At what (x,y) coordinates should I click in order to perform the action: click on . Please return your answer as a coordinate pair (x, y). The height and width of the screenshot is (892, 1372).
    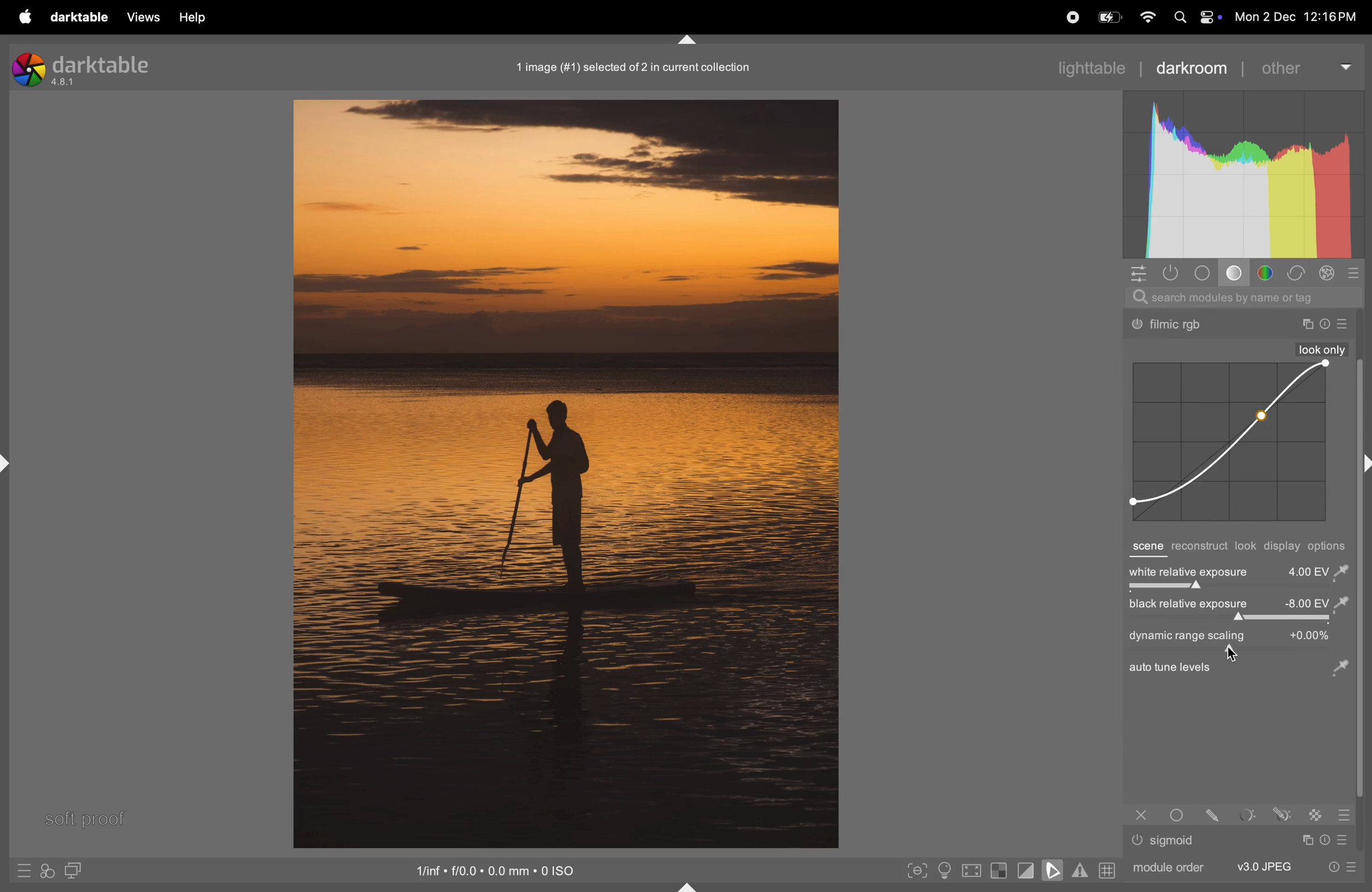
    Looking at the image, I should click on (1317, 814).